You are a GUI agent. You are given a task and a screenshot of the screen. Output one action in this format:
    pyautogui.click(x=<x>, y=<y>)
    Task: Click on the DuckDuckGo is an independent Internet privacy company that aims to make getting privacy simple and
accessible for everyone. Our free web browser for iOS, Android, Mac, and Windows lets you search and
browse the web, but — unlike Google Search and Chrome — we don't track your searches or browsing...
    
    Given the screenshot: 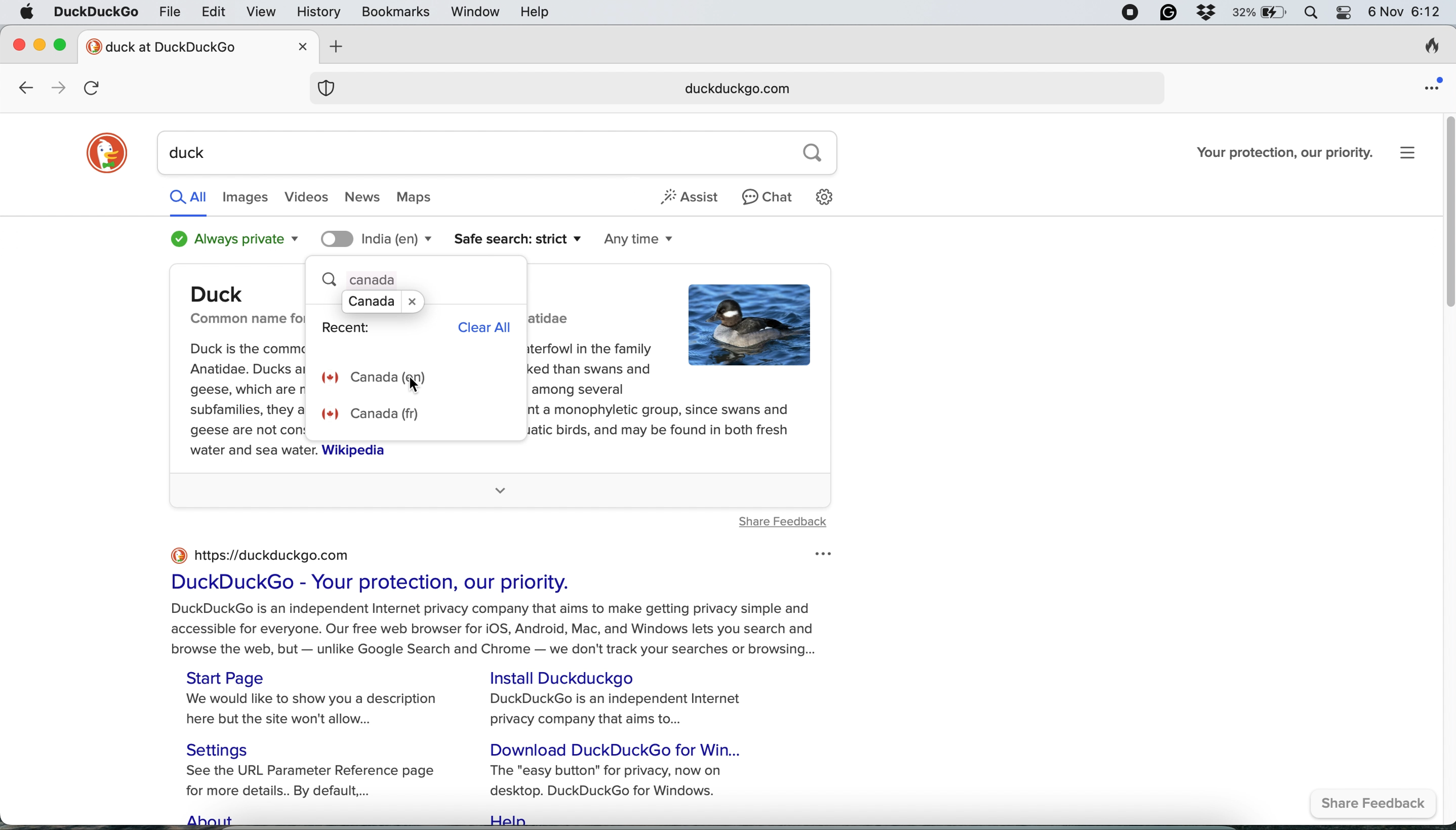 What is the action you would take?
    pyautogui.click(x=497, y=630)
    